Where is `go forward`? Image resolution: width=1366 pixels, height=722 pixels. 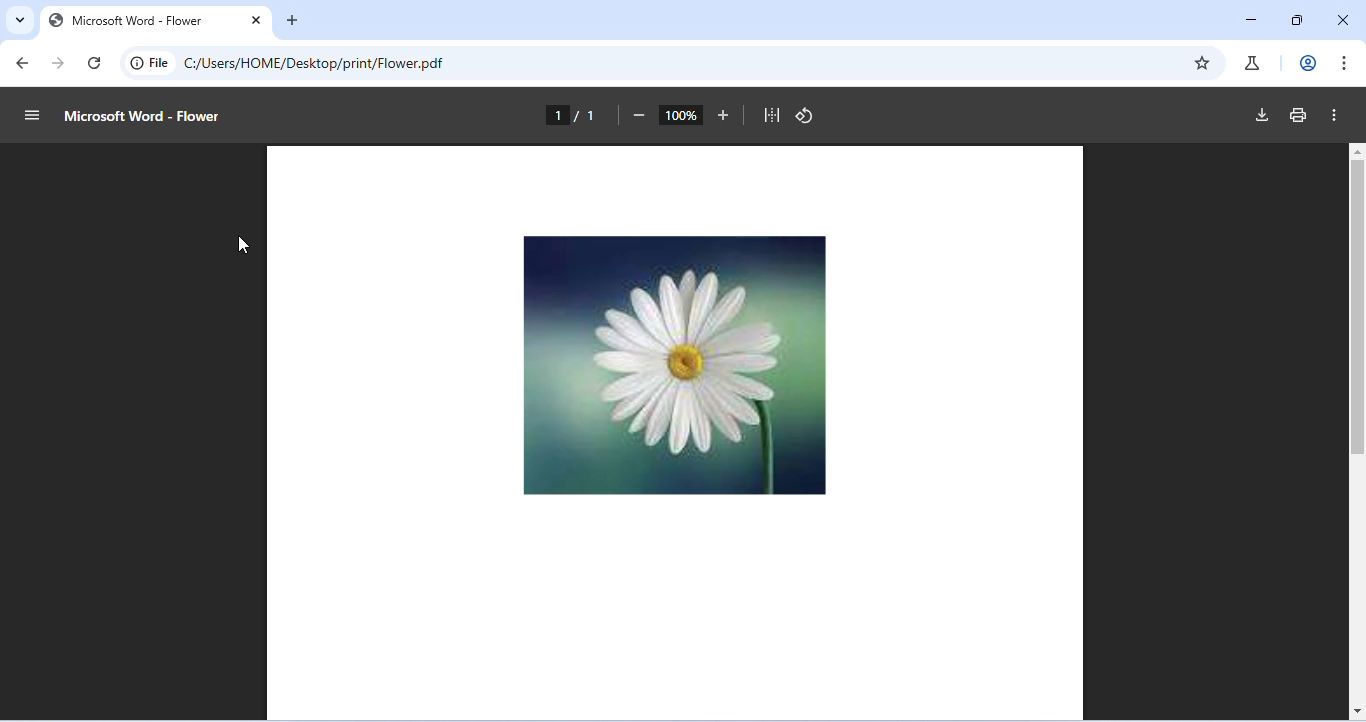
go forward is located at coordinates (60, 63).